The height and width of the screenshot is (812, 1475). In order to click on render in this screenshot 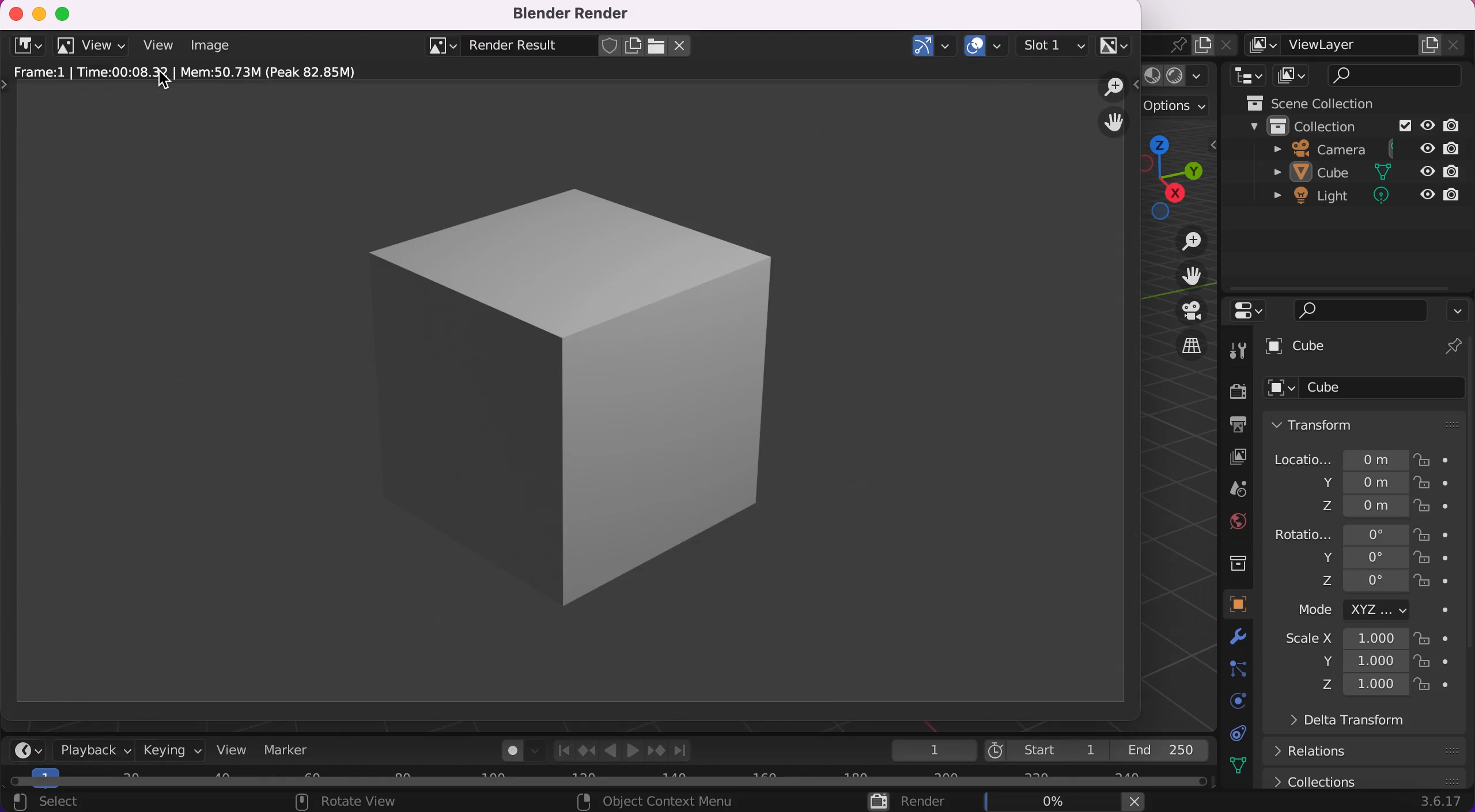, I will do `click(1227, 390)`.